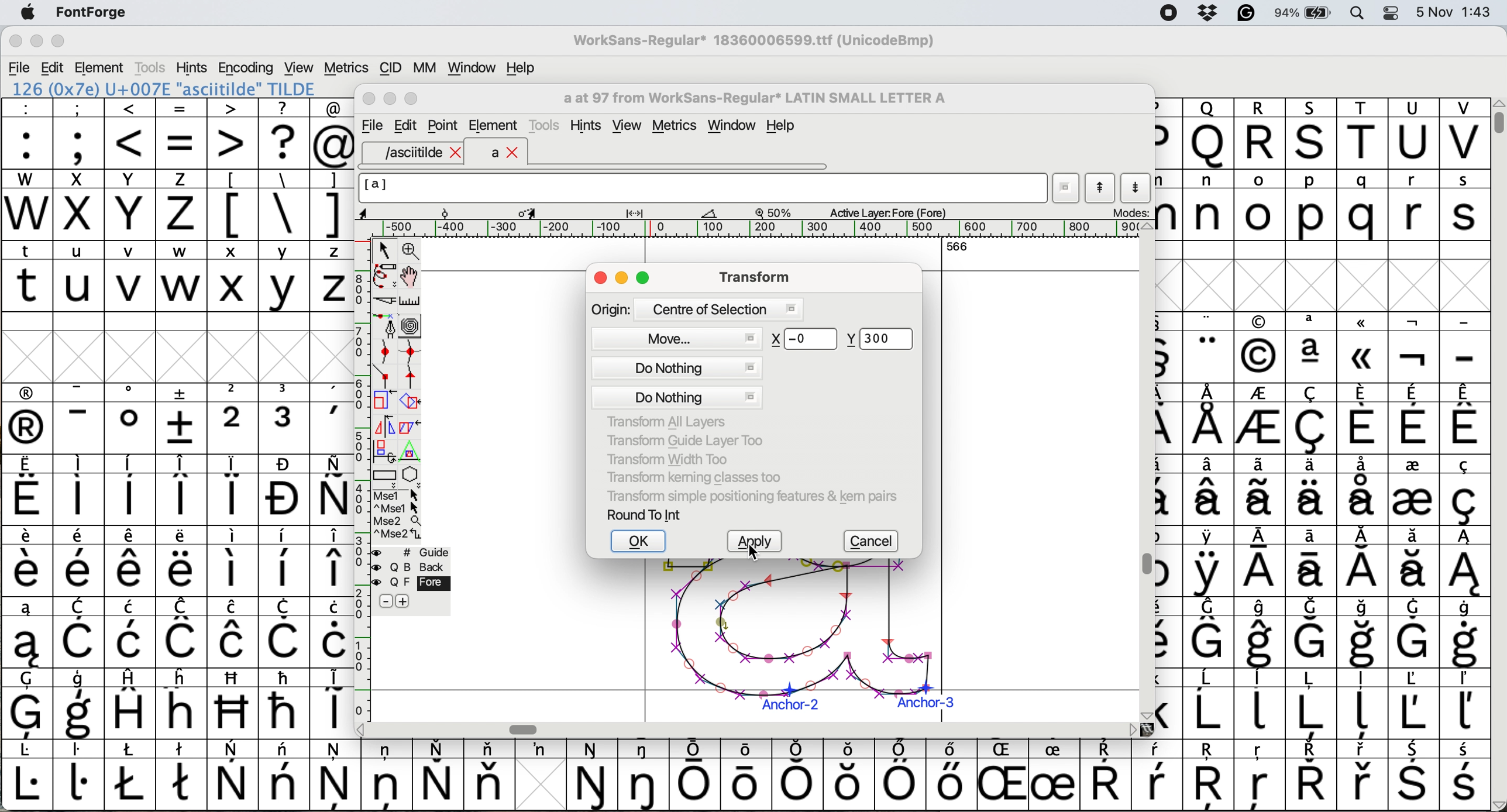 Image resolution: width=1507 pixels, height=812 pixels. What do you see at coordinates (682, 336) in the screenshot?
I see `move` at bounding box center [682, 336].